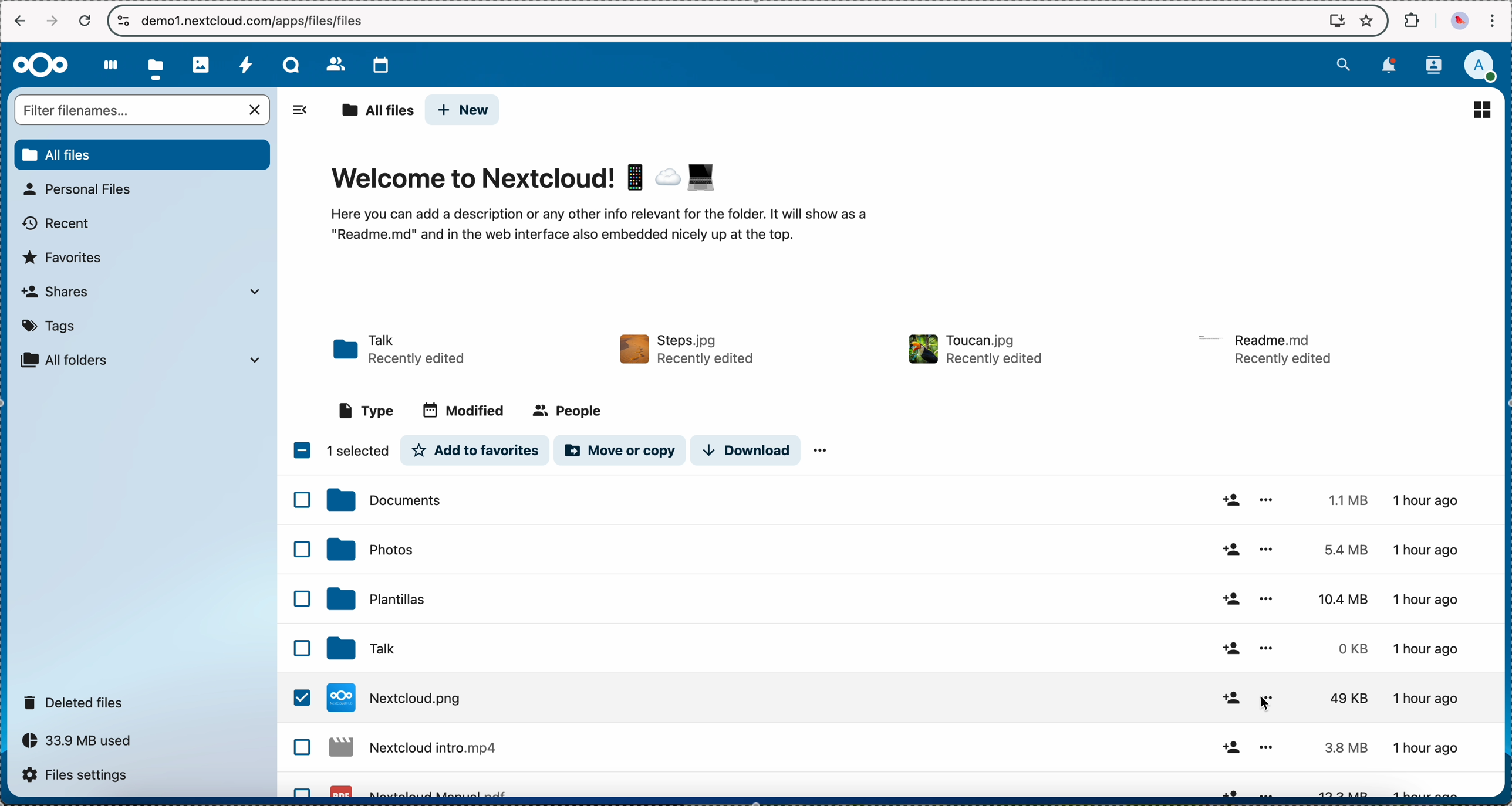 The width and height of the screenshot is (1512, 806). I want to click on file, so click(1267, 350).